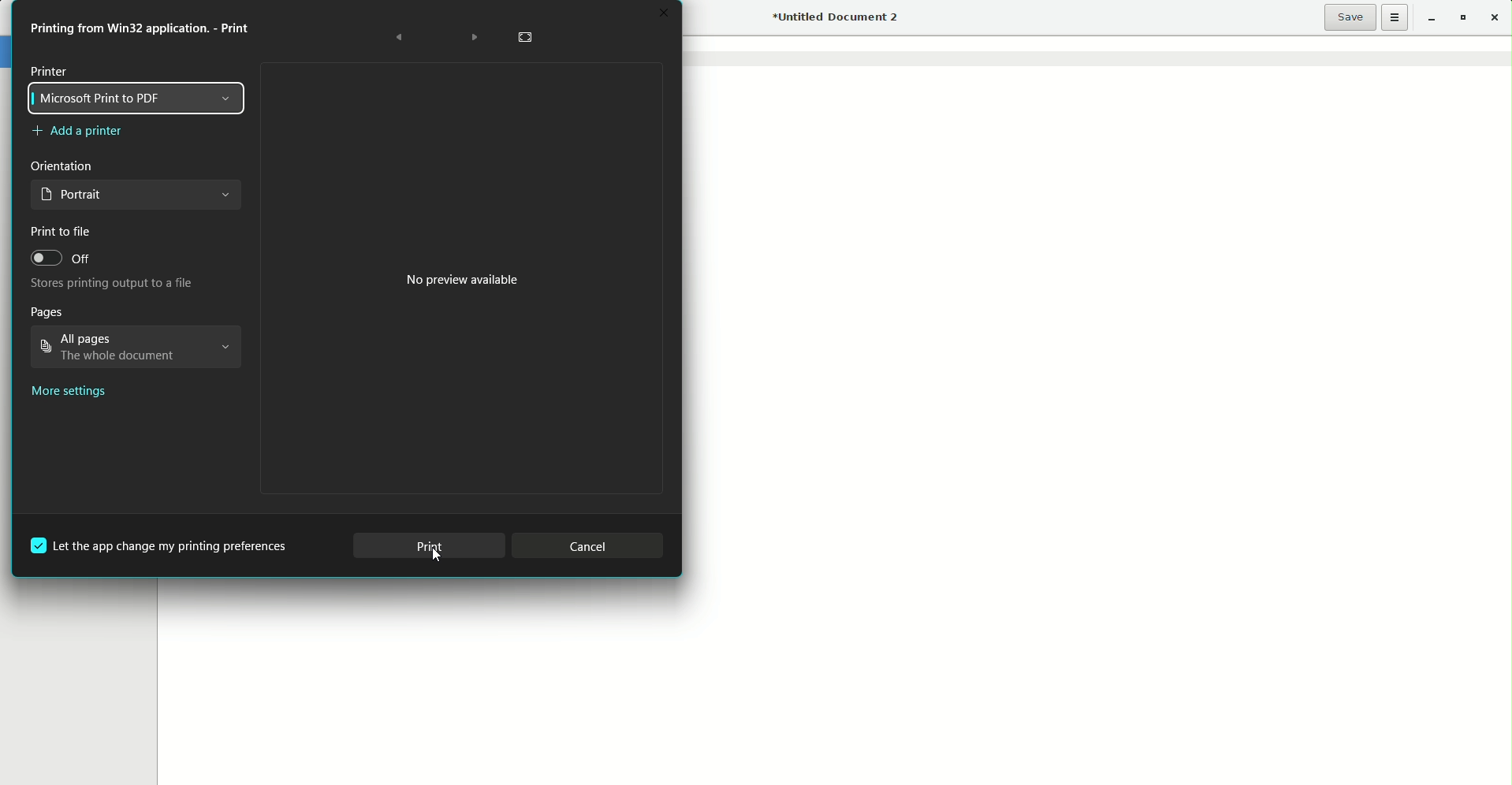  What do you see at coordinates (61, 262) in the screenshot?
I see `Toggle off` at bounding box center [61, 262].